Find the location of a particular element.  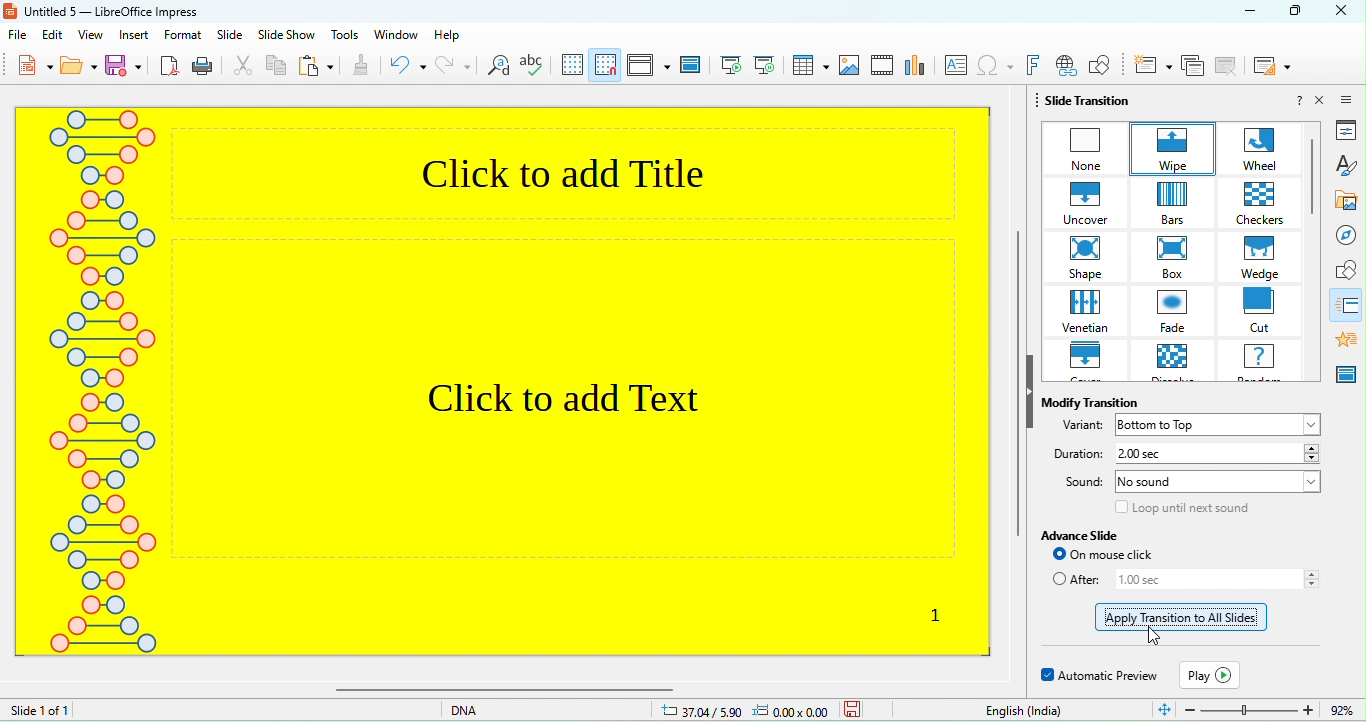

style is located at coordinates (1341, 163).